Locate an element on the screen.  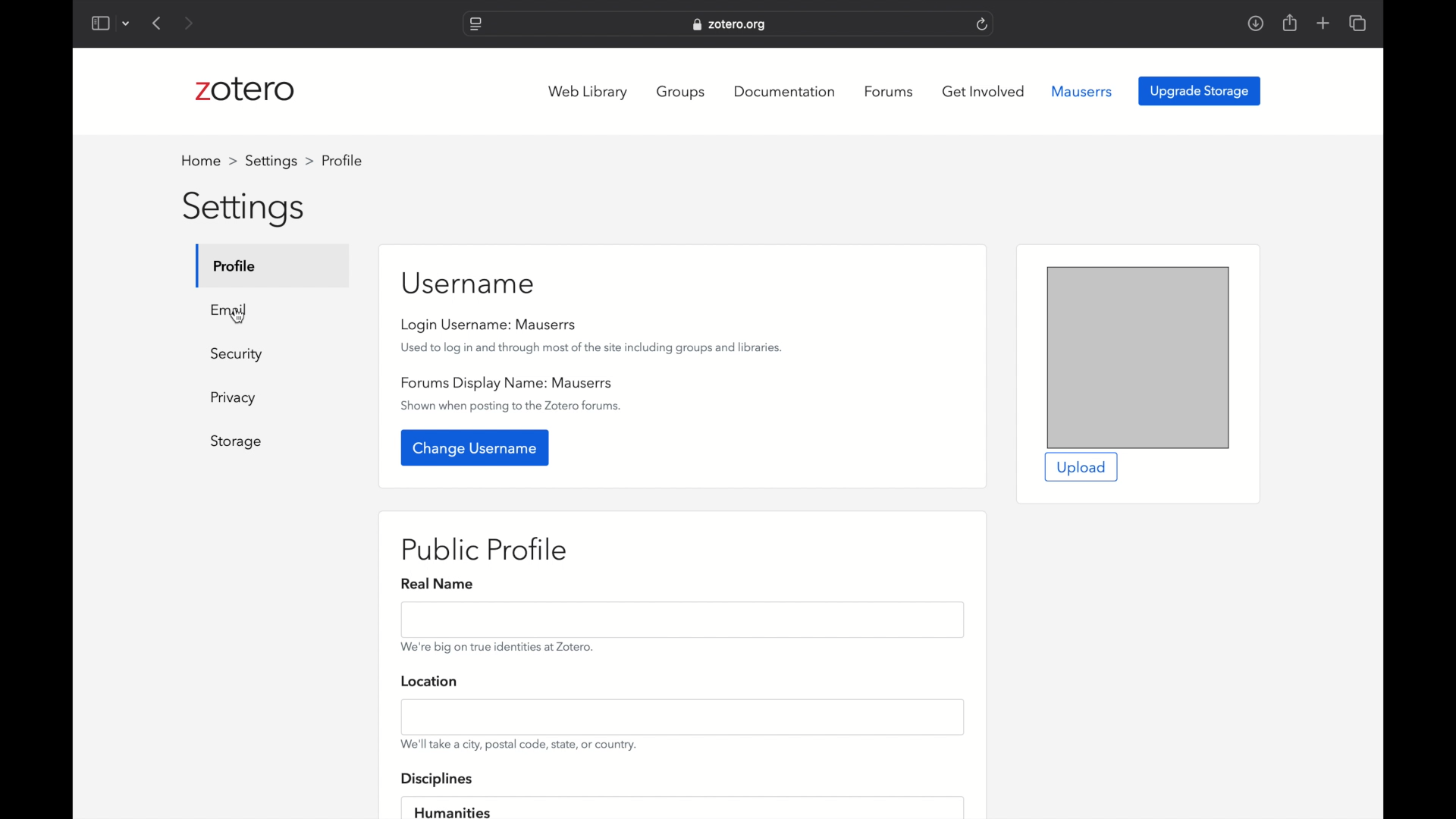
refresh is located at coordinates (982, 24).